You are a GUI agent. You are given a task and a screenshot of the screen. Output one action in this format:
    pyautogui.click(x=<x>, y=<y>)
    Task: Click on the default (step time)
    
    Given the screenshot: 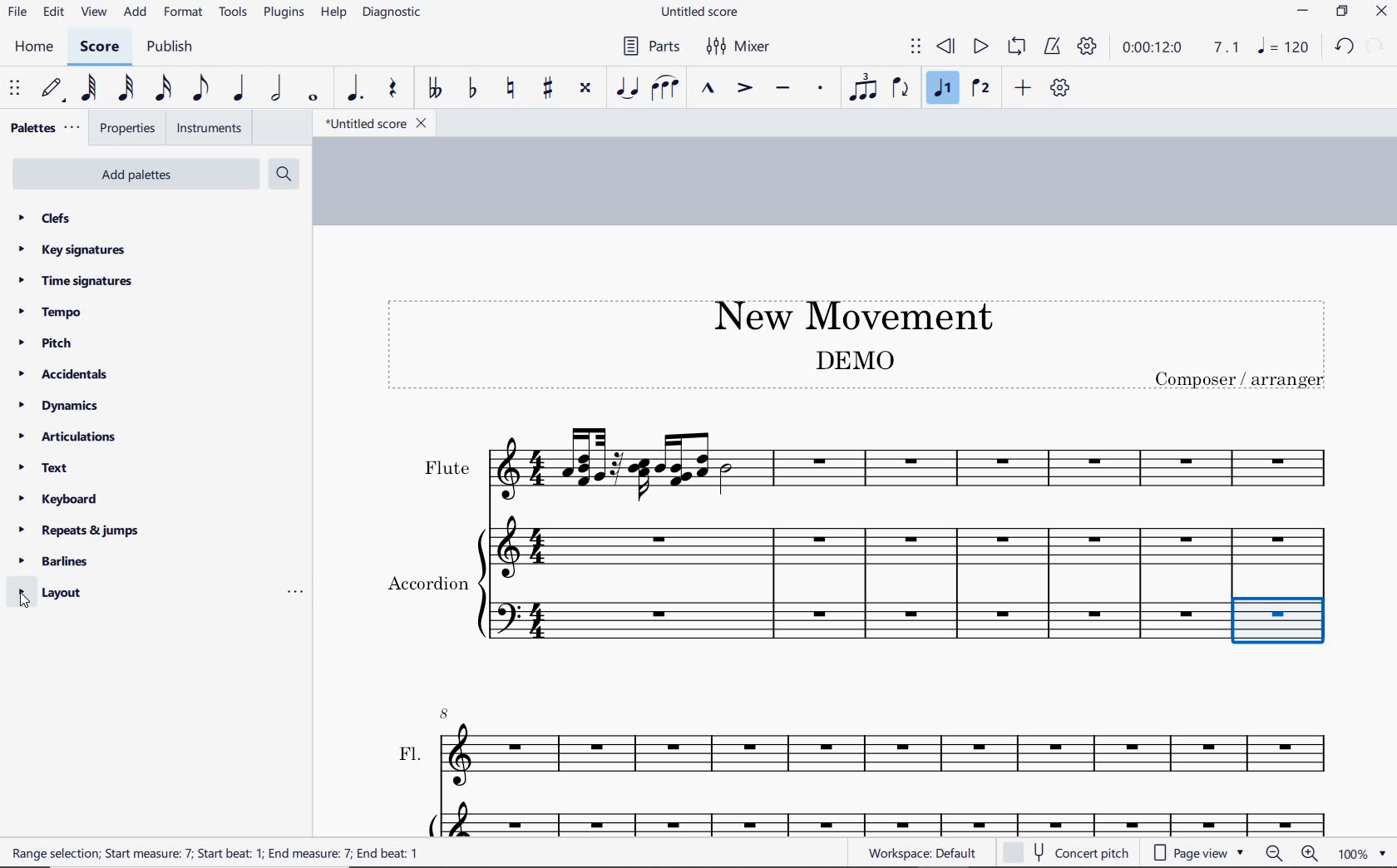 What is the action you would take?
    pyautogui.click(x=53, y=89)
    